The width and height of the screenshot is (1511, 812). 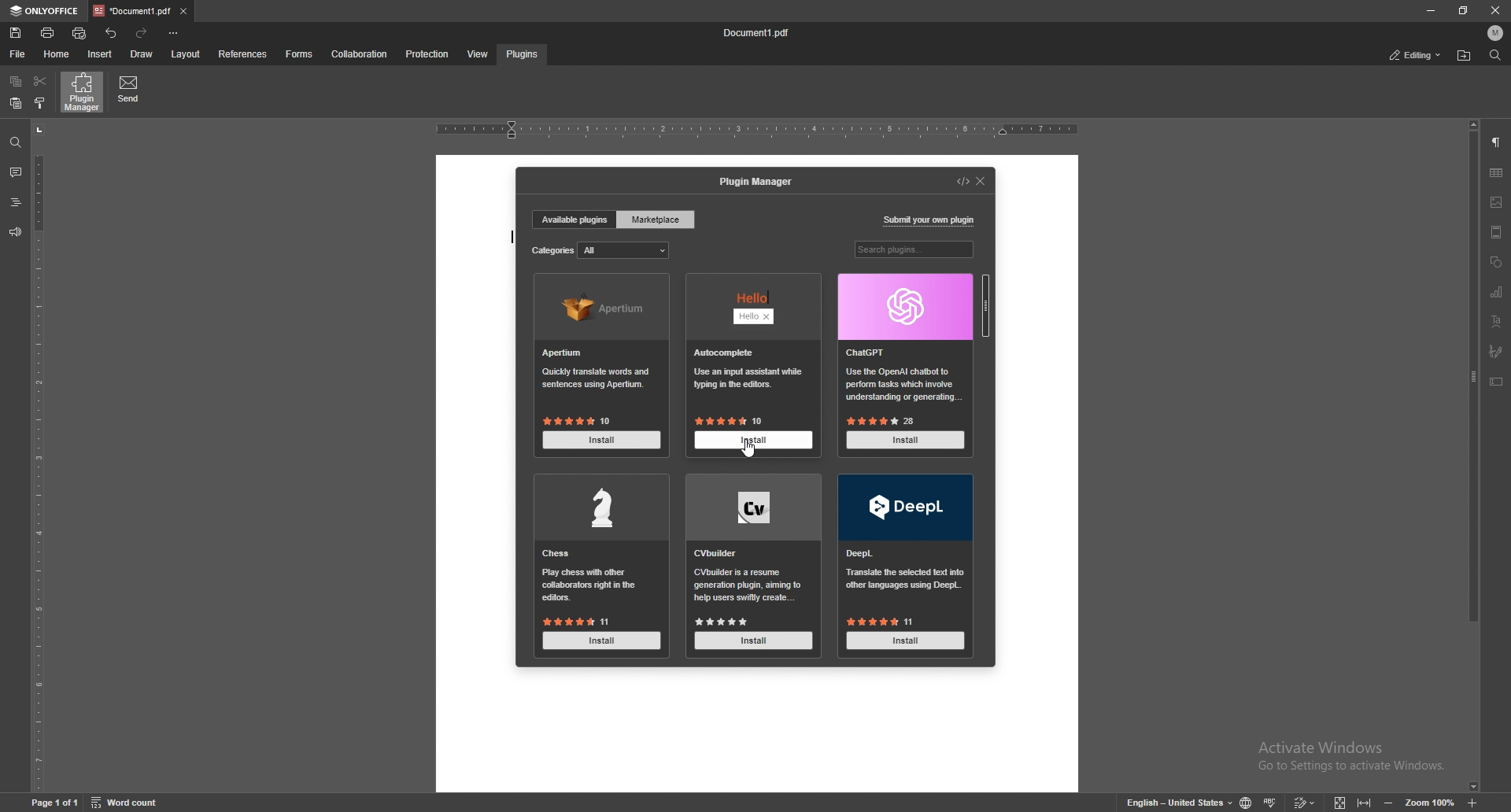 I want to click on hello, so click(x=756, y=349).